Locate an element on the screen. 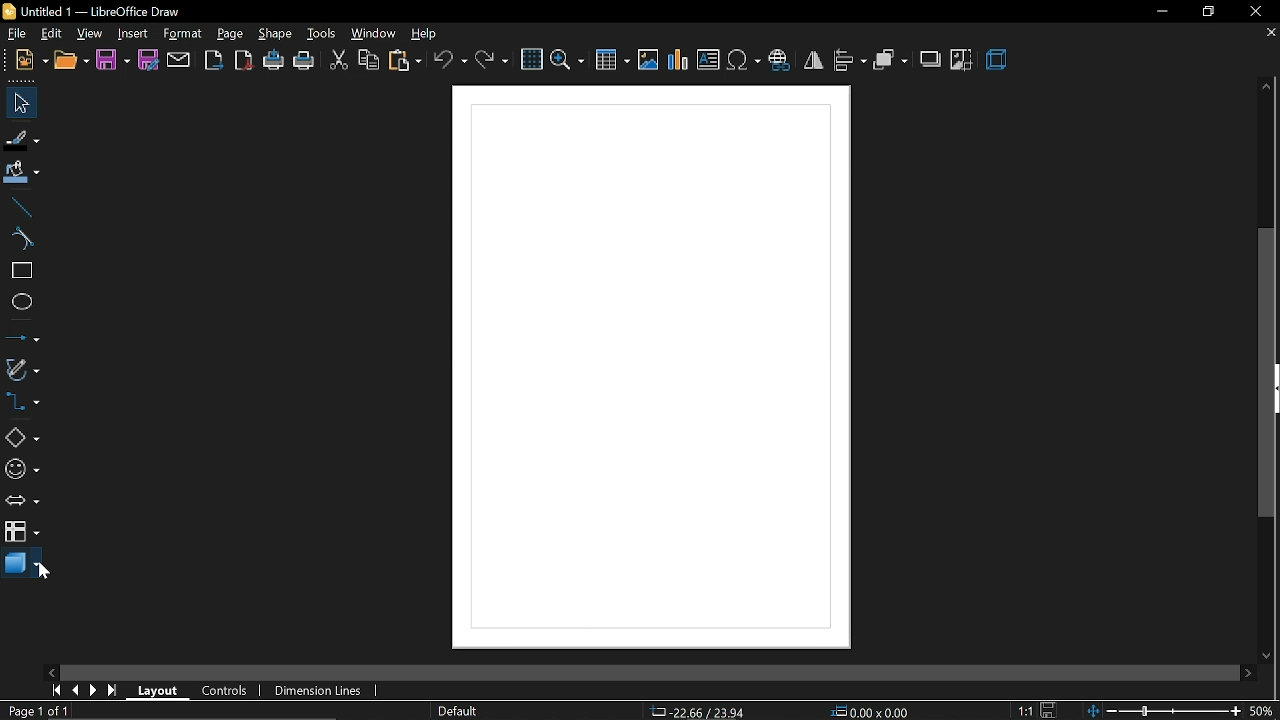 This screenshot has height=720, width=1280. export is located at coordinates (213, 60).